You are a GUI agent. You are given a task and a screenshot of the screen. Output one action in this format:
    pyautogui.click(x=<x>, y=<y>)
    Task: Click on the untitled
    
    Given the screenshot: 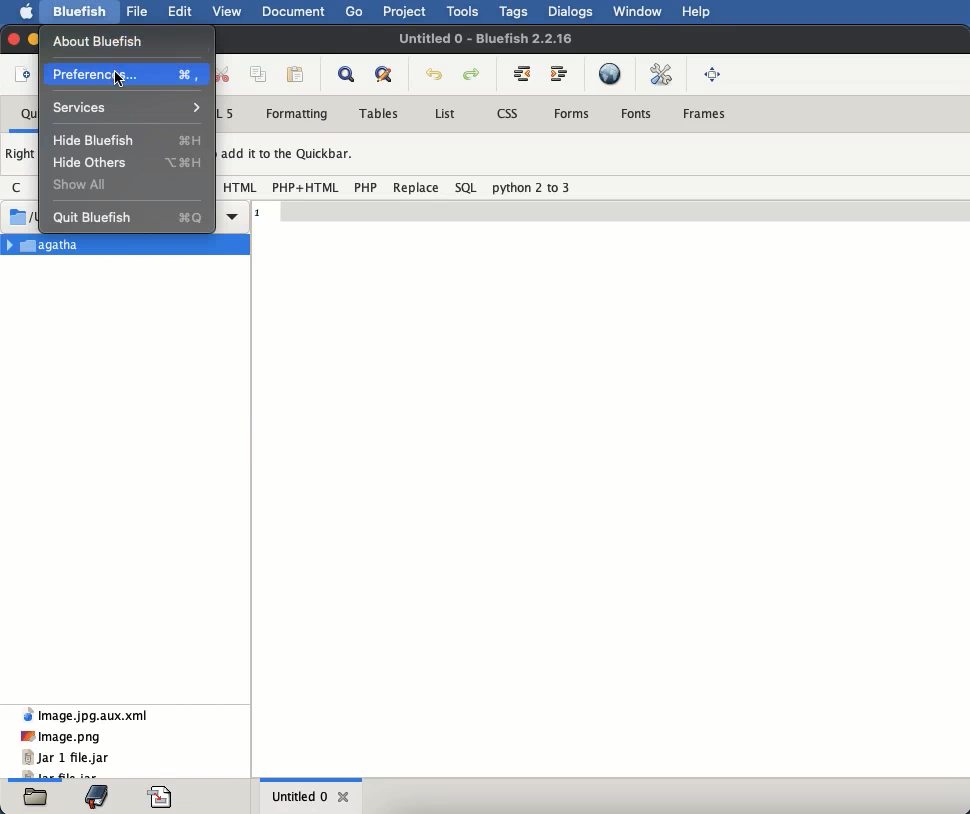 What is the action you would take?
    pyautogui.click(x=488, y=37)
    